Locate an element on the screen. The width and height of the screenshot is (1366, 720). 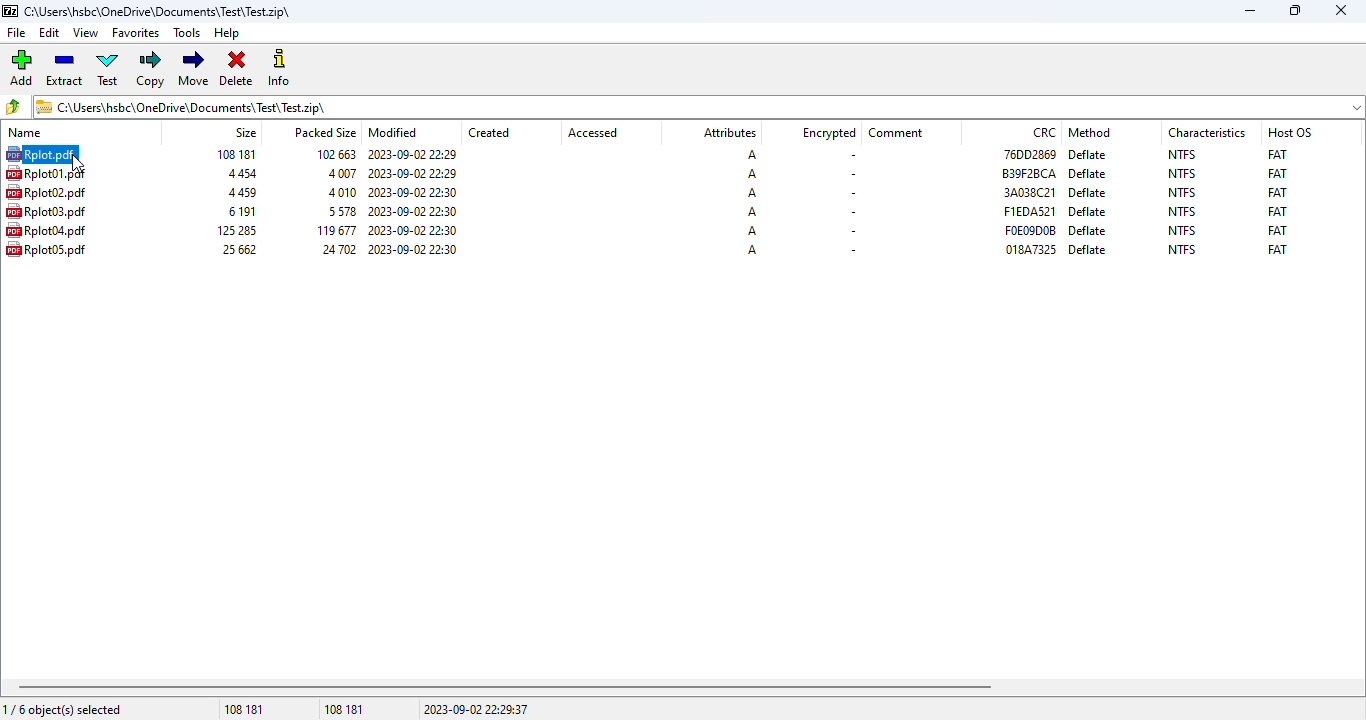
deflate is located at coordinates (1088, 249).